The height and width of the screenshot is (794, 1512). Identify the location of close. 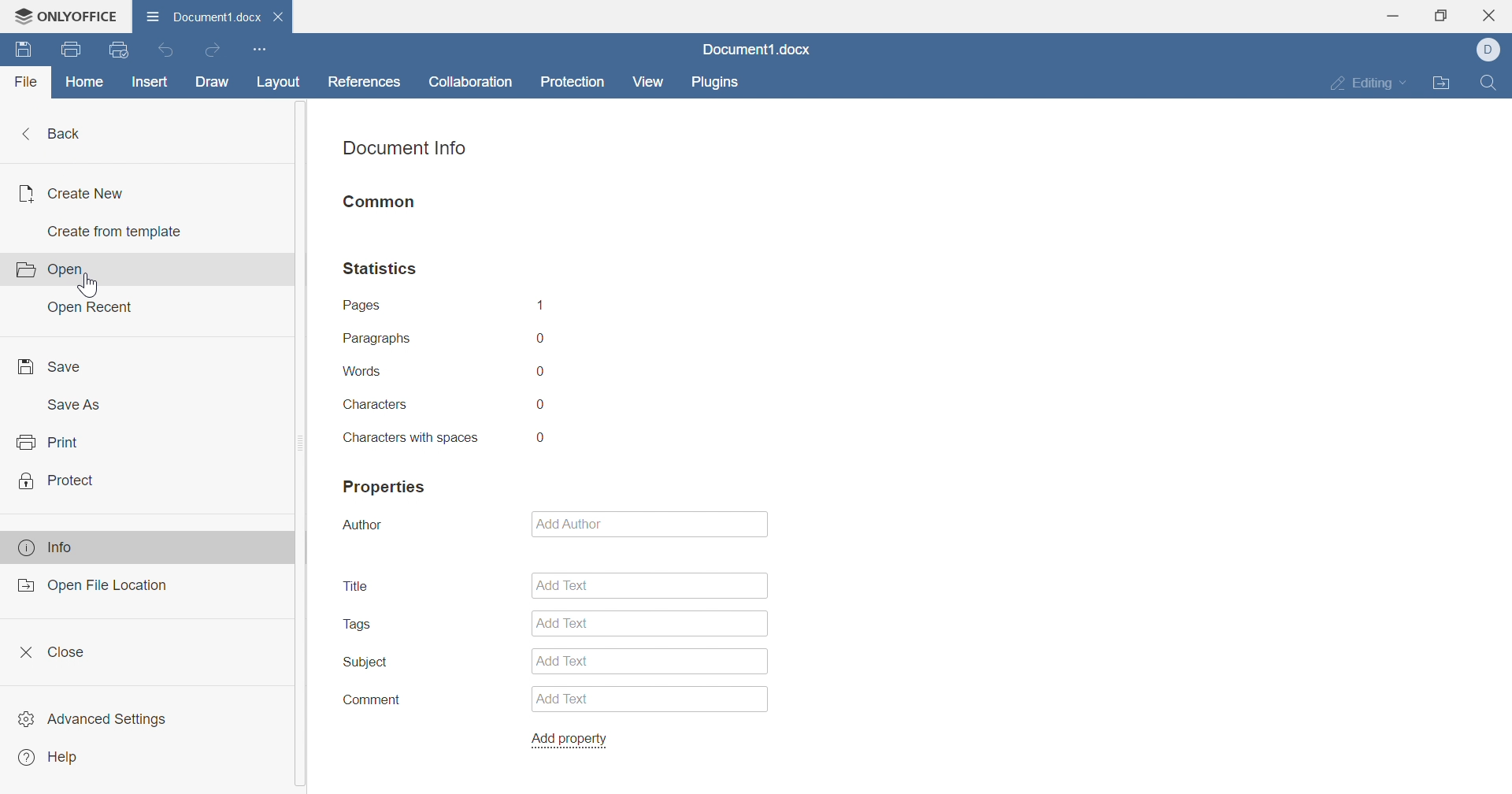
(280, 16).